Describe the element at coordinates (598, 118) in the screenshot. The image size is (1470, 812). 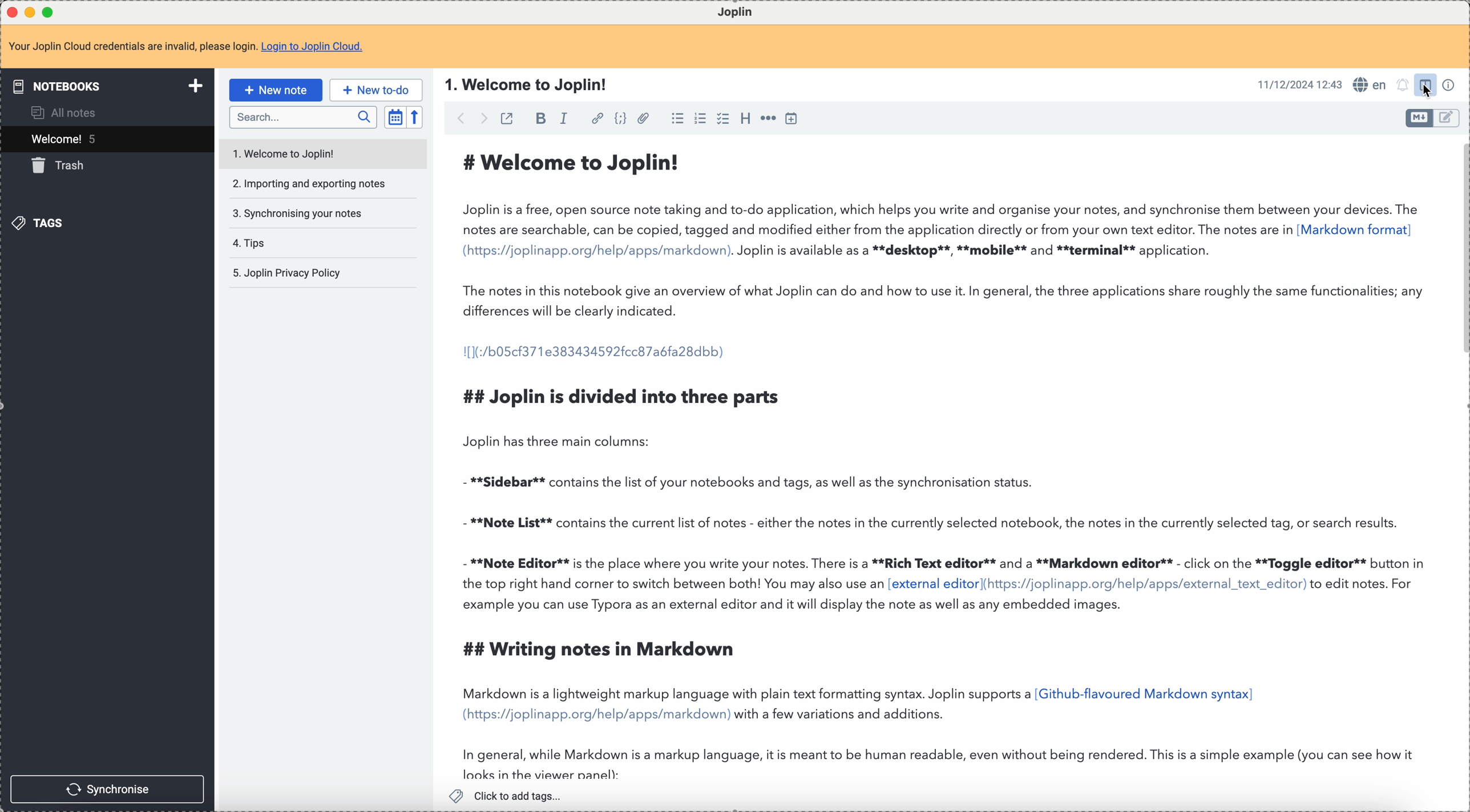
I see `hyperlink` at that location.